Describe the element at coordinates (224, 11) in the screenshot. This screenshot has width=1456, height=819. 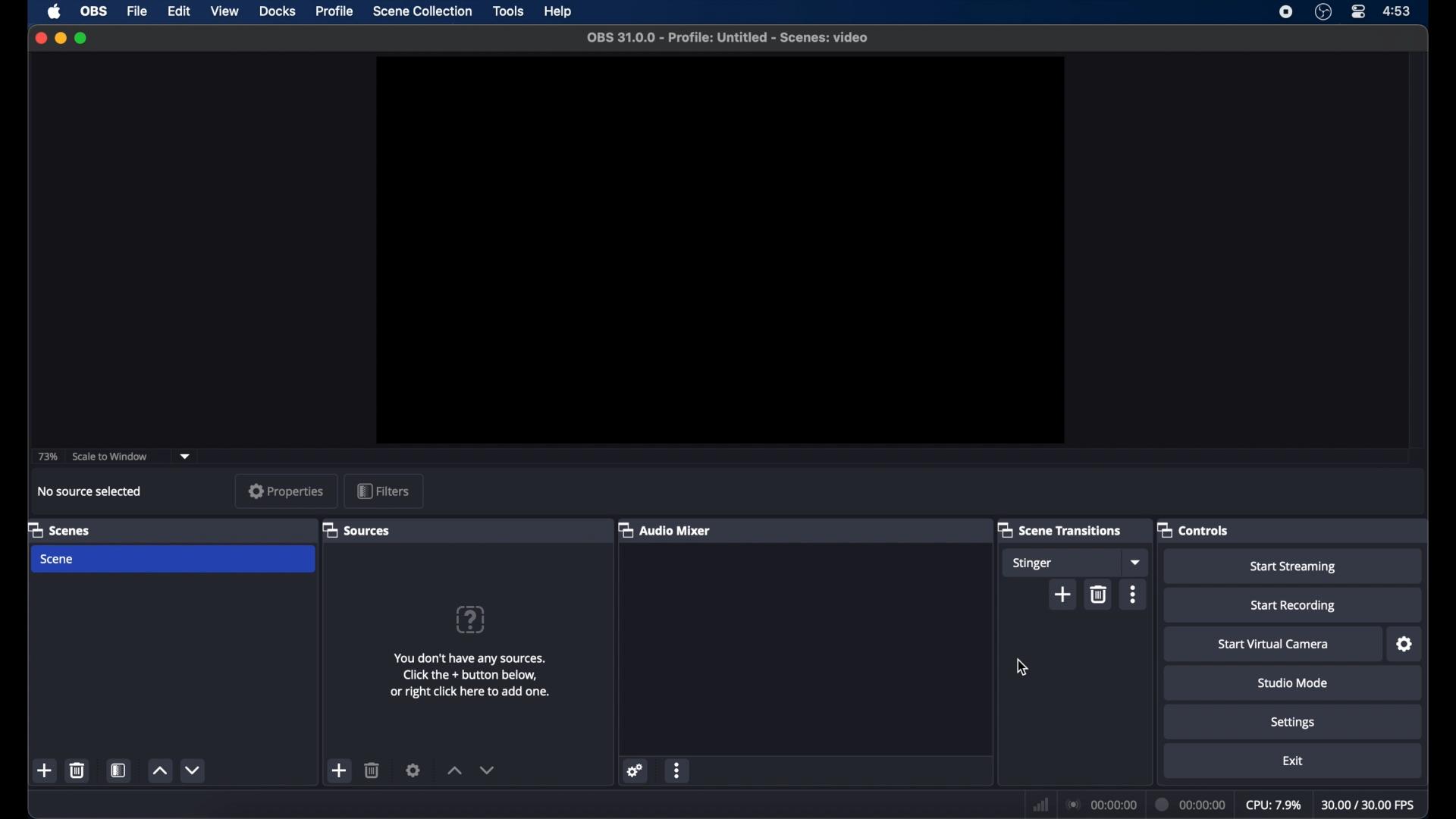
I see `view` at that location.